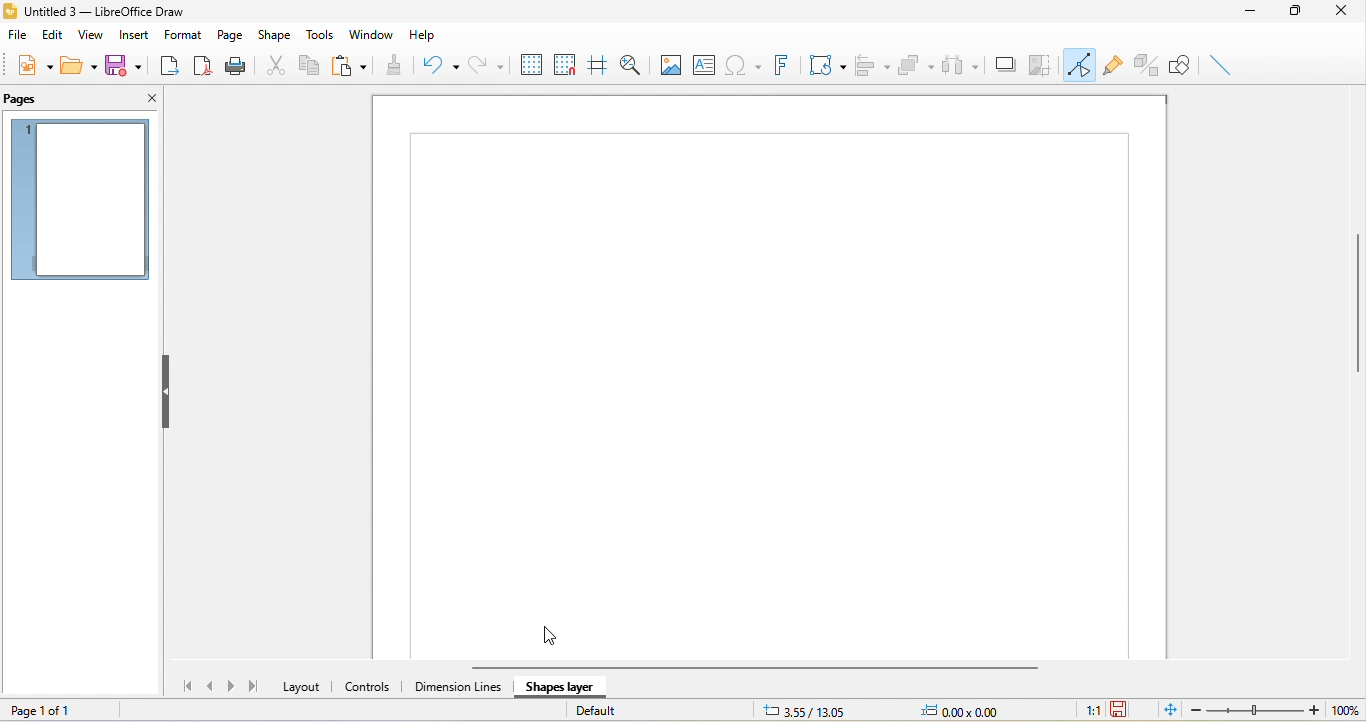 This screenshot has height=722, width=1366. Describe the element at coordinates (276, 65) in the screenshot. I see `cut` at that location.